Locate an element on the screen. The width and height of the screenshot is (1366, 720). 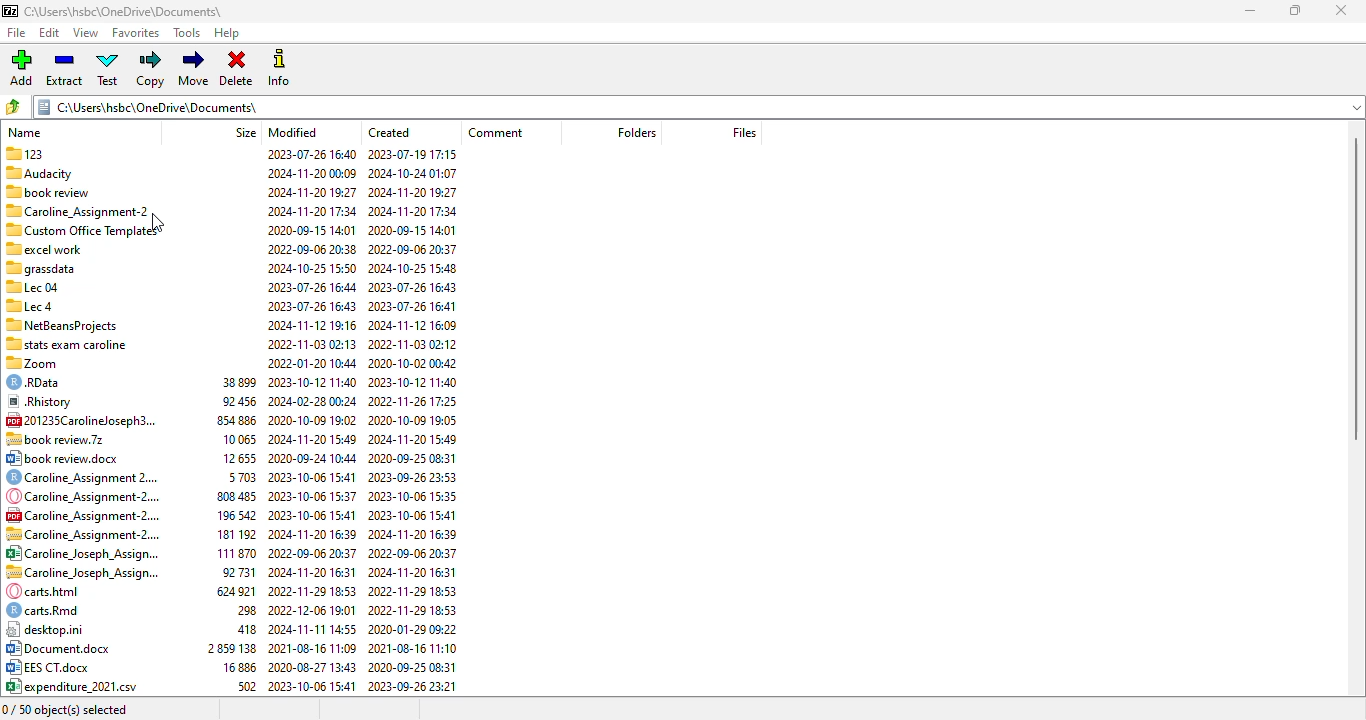
2020-09-24 10:44 is located at coordinates (311, 459).